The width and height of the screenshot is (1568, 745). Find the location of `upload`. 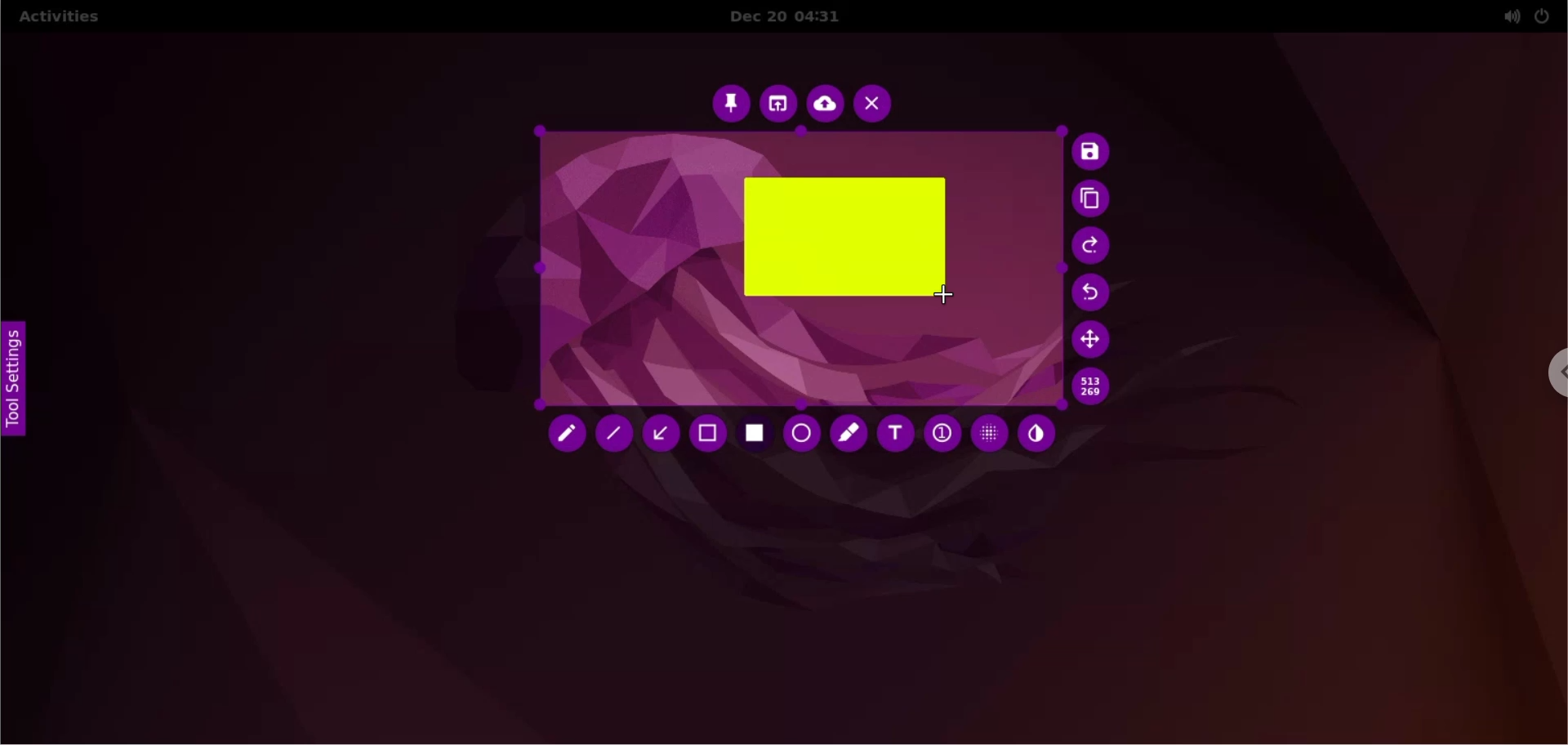

upload is located at coordinates (825, 104).